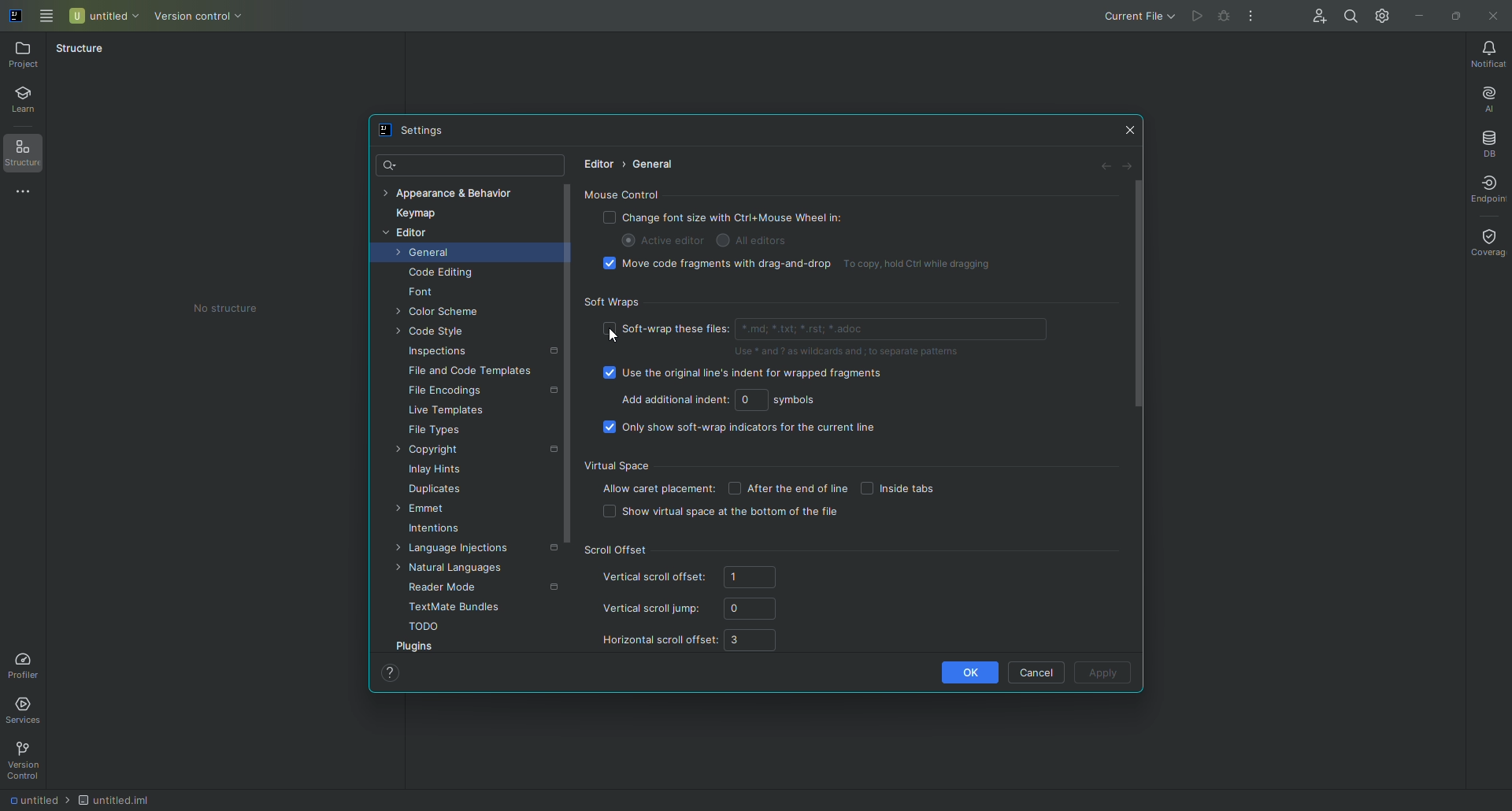  Describe the element at coordinates (395, 166) in the screenshot. I see `Search` at that location.